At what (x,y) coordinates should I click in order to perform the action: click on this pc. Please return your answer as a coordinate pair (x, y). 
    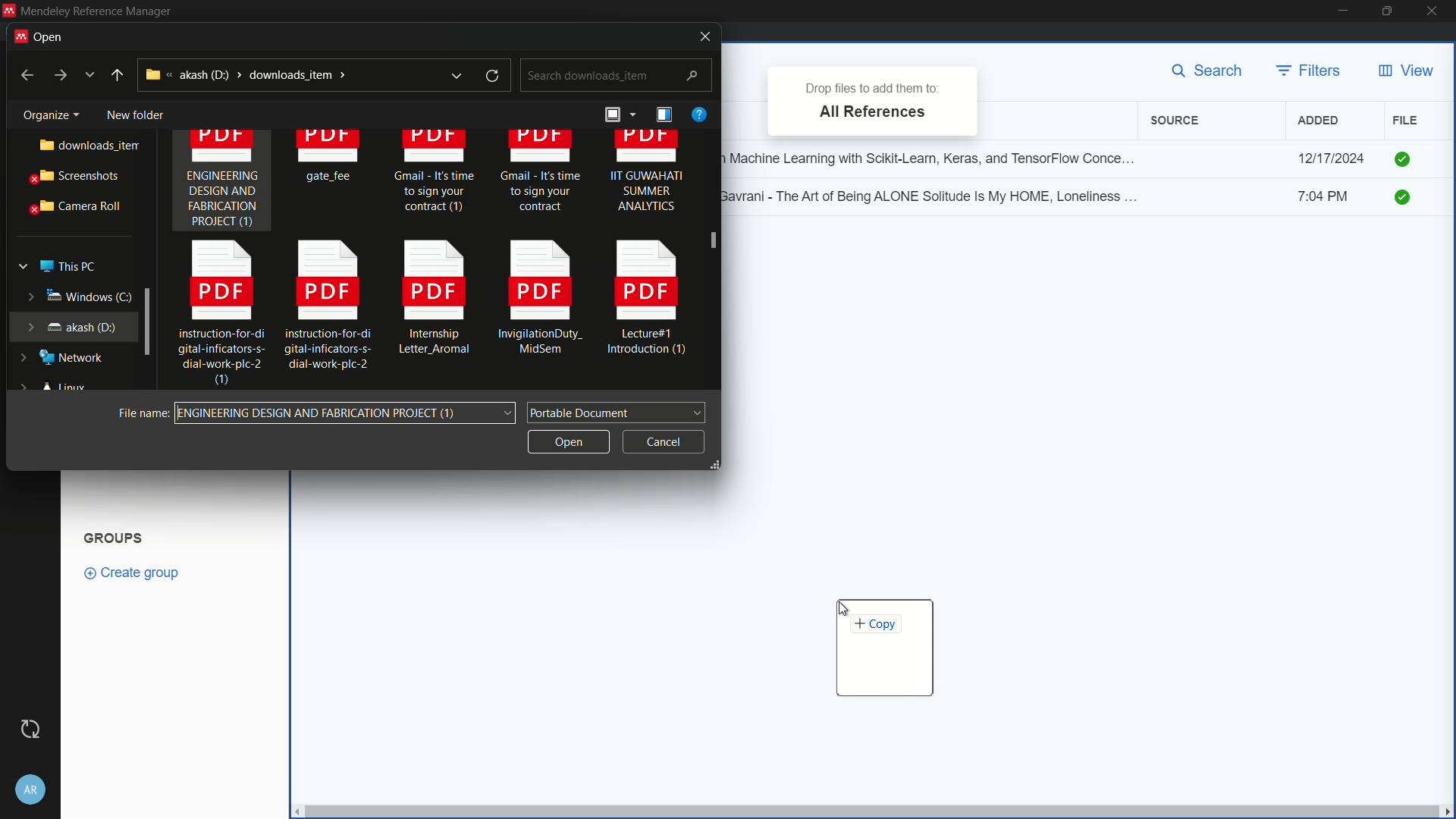
    Looking at the image, I should click on (67, 263).